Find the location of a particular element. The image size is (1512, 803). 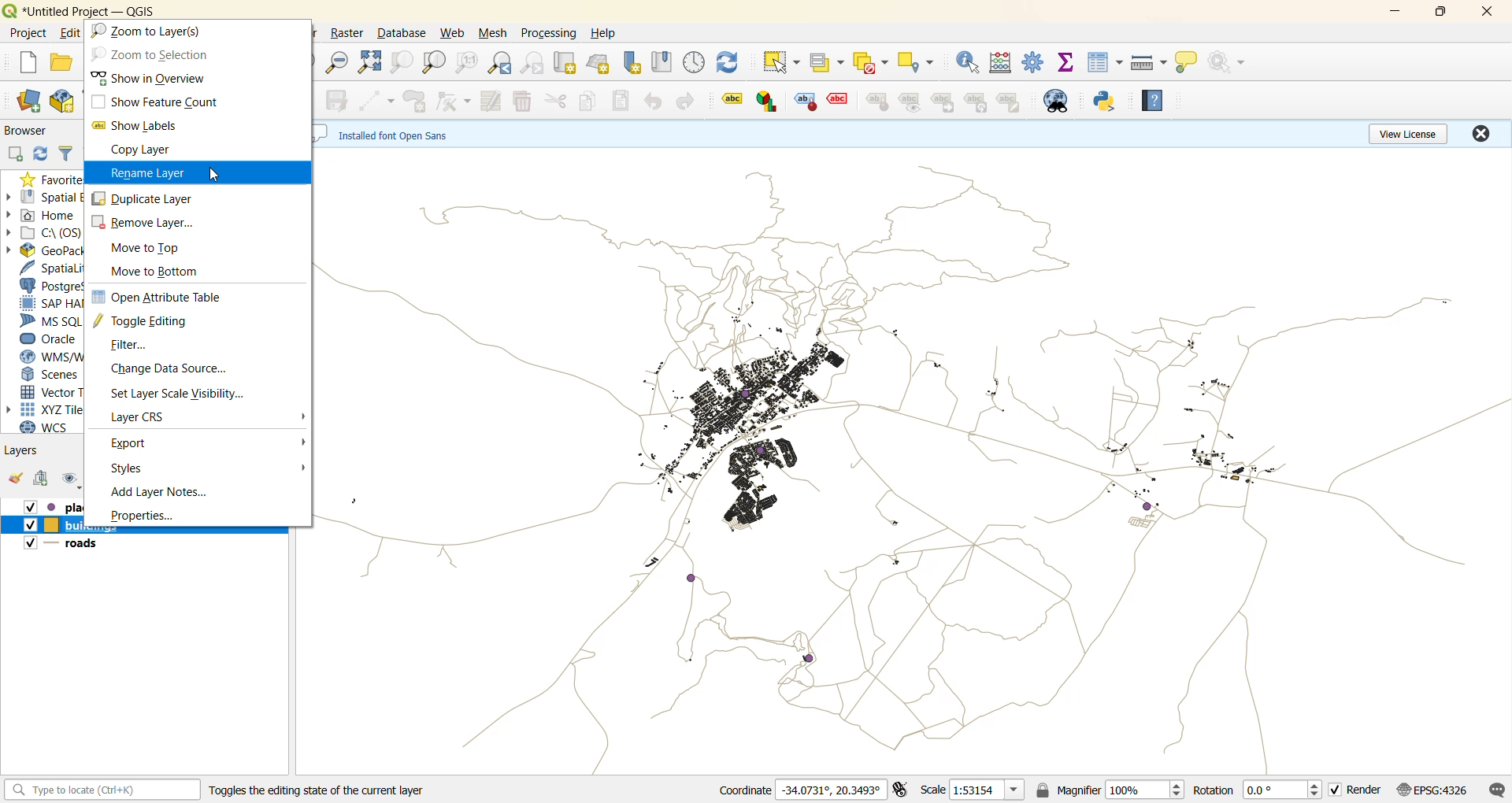

metasearch is located at coordinates (1058, 102).